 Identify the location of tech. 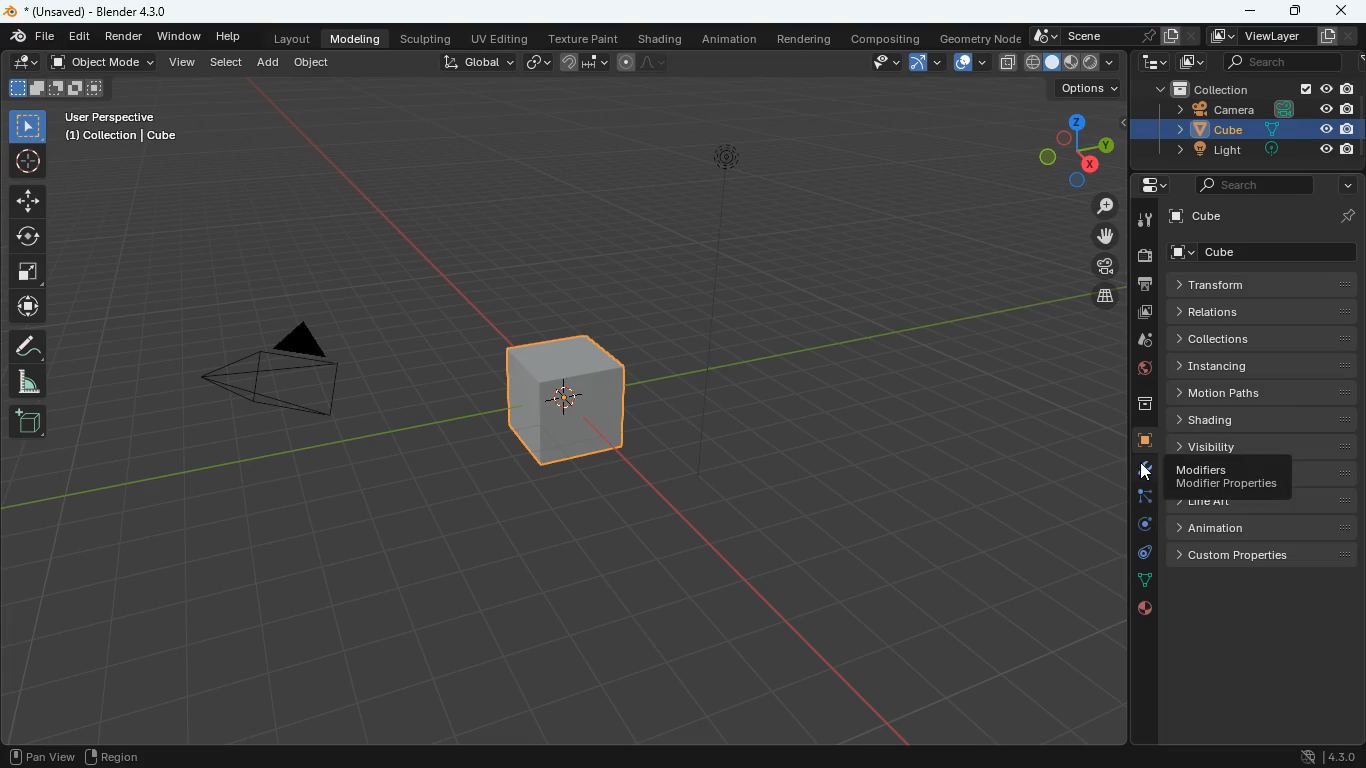
(1151, 63).